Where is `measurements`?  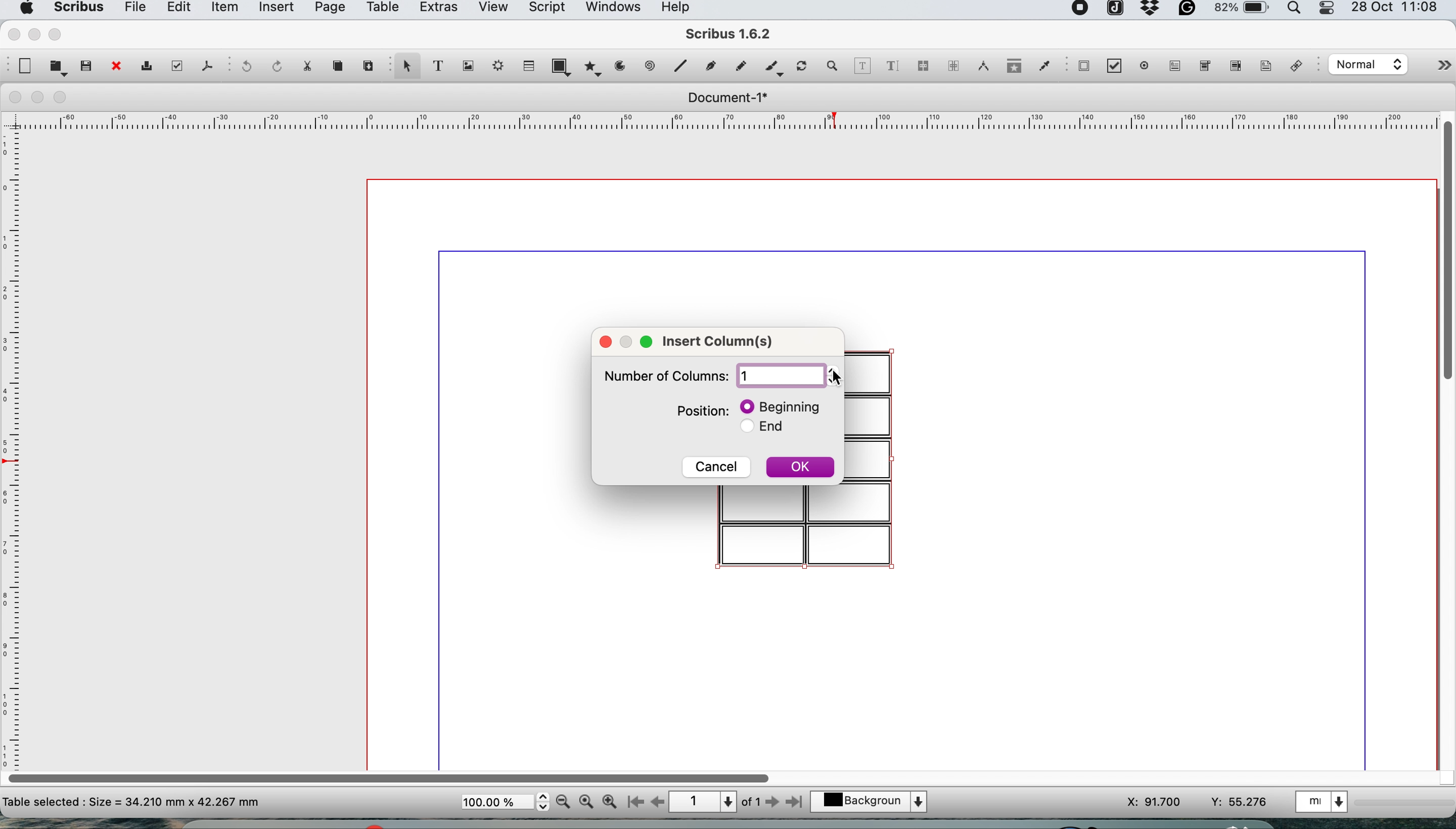 measurements is located at coordinates (980, 66).